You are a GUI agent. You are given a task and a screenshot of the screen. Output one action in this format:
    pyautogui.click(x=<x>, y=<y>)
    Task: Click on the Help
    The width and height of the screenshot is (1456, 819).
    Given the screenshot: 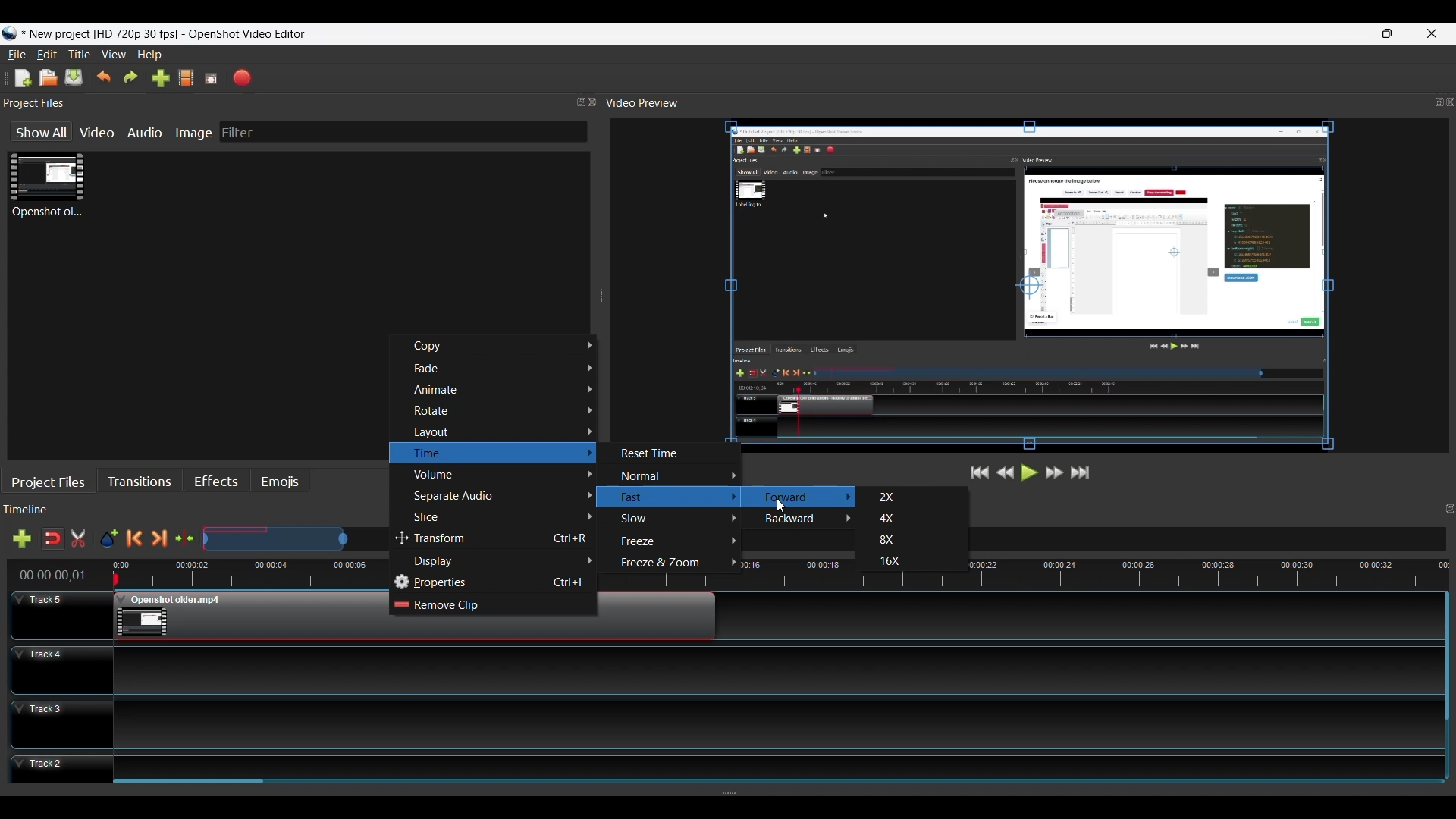 What is the action you would take?
    pyautogui.click(x=149, y=55)
    